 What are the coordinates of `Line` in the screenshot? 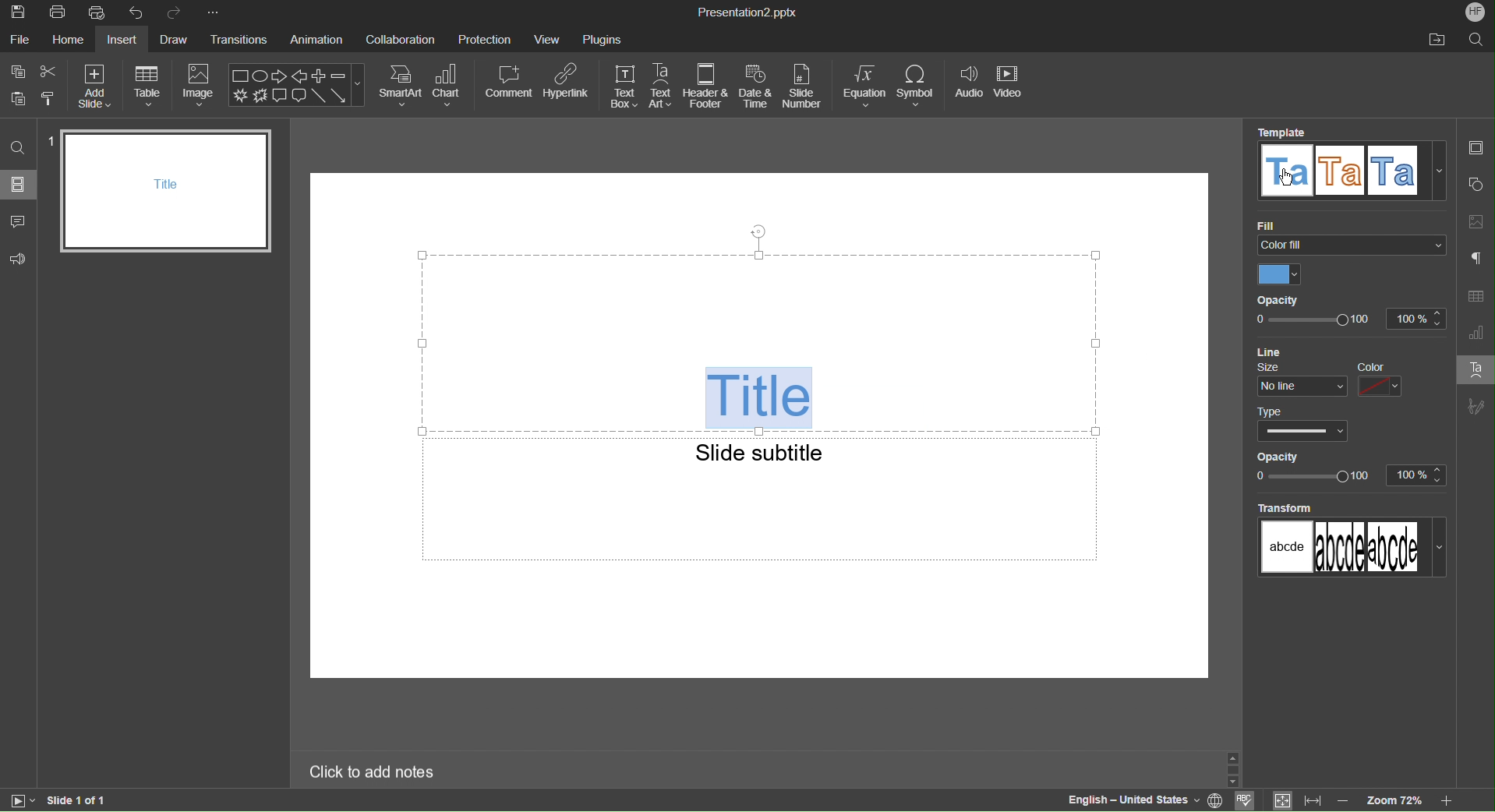 It's located at (1286, 349).